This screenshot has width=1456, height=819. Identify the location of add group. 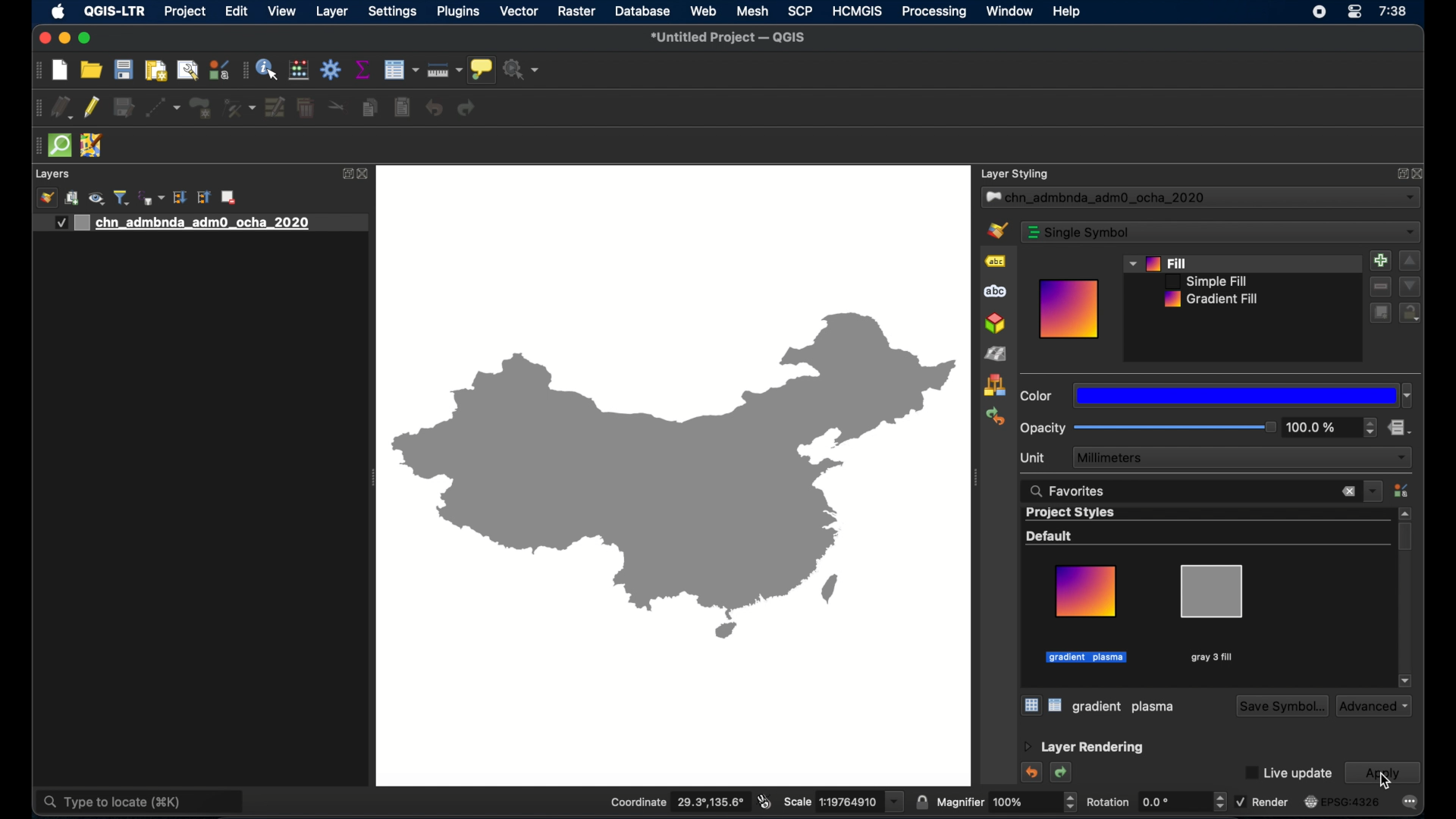
(72, 199).